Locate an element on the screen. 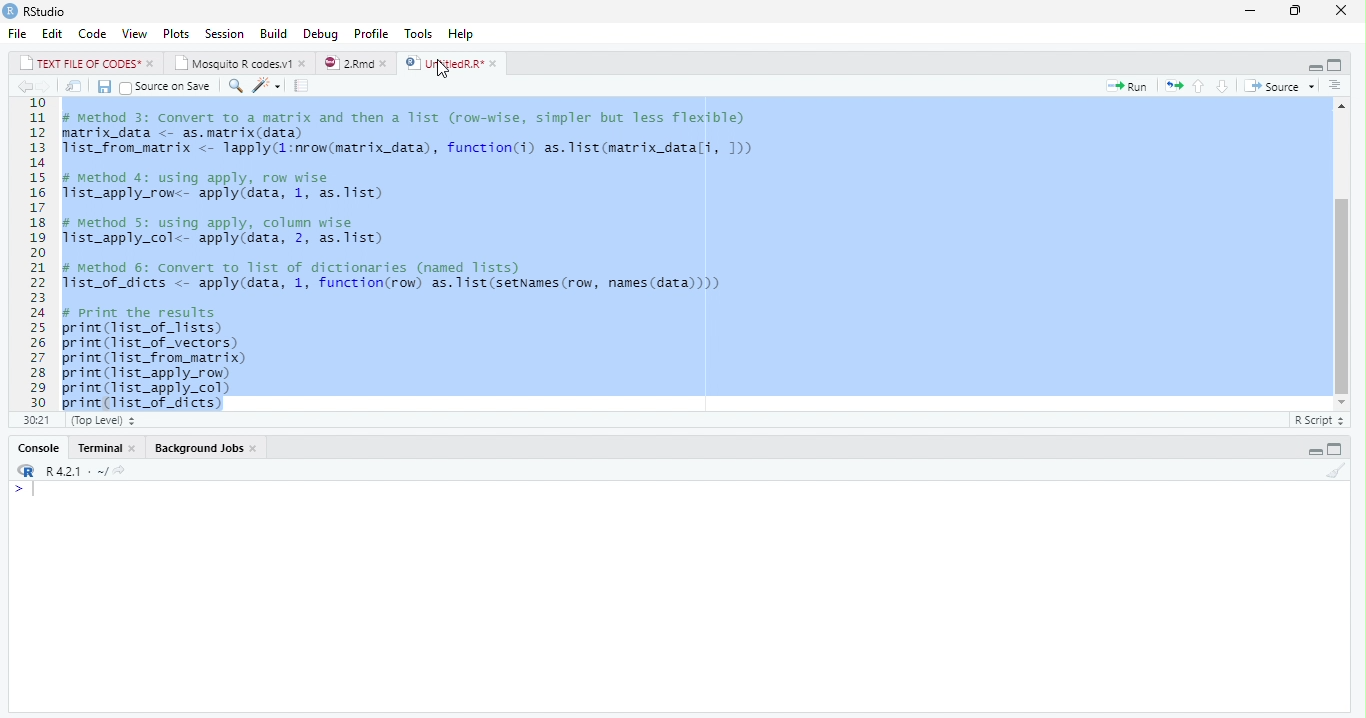 Image resolution: width=1366 pixels, height=718 pixels. Mosquito R codes.v1 is located at coordinates (239, 62).